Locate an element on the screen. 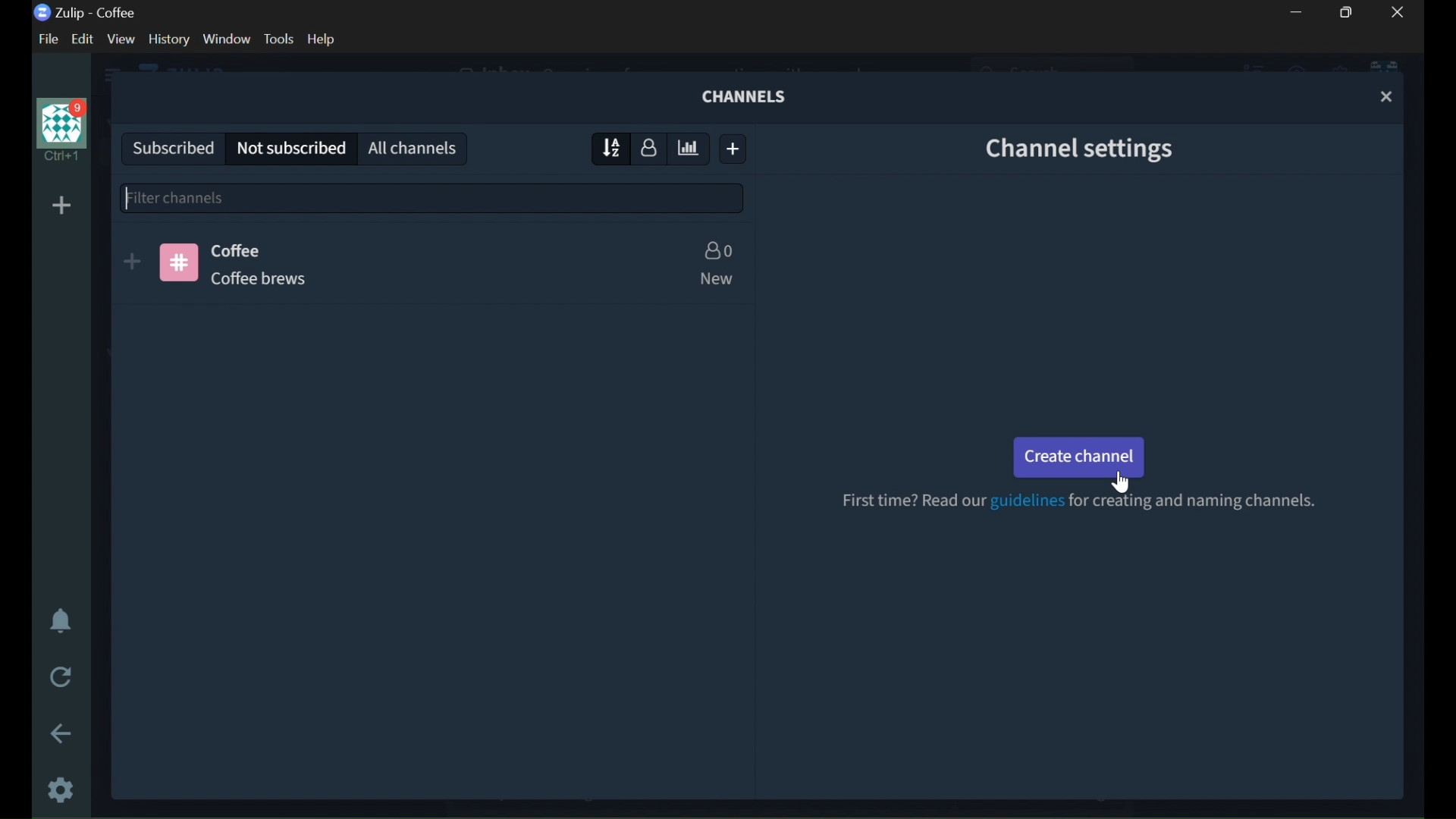 The image size is (1456, 819). TOOLS is located at coordinates (278, 39).